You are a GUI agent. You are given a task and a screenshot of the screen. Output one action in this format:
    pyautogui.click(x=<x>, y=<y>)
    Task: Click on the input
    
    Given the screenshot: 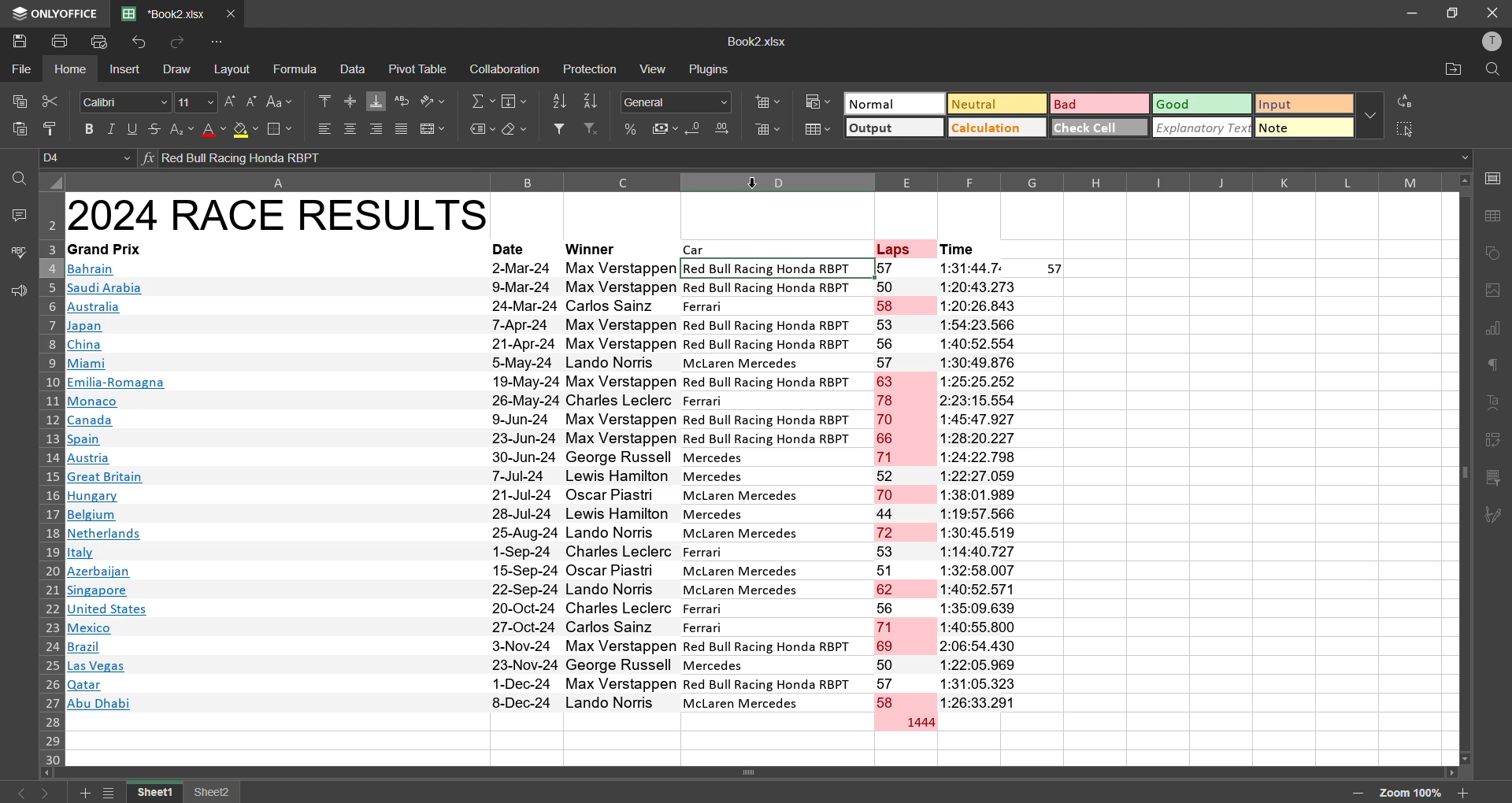 What is the action you would take?
    pyautogui.click(x=1304, y=105)
    